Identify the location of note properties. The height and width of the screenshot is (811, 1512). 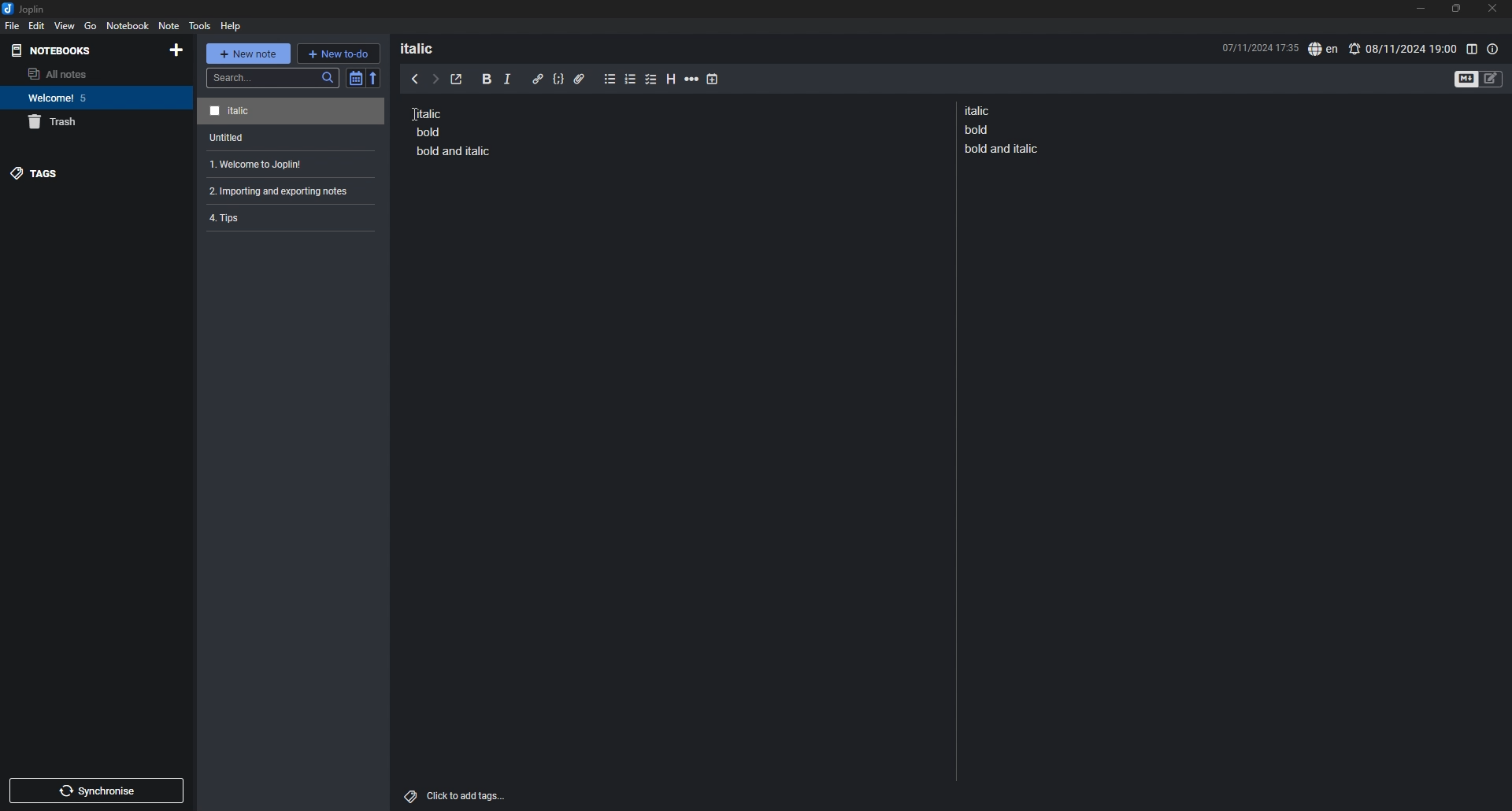
(1493, 49).